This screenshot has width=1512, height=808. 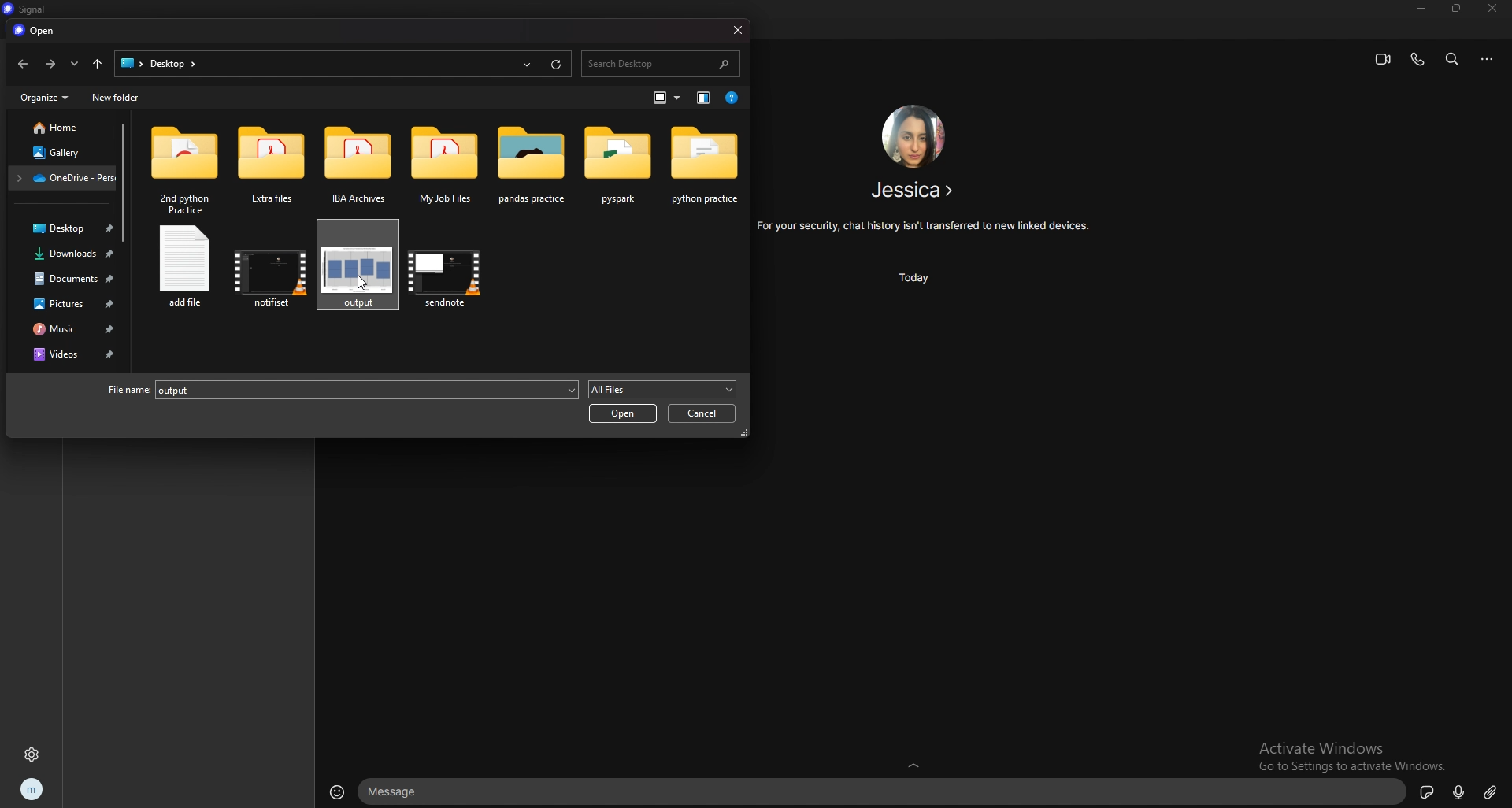 I want to click on videos, so click(x=69, y=354).